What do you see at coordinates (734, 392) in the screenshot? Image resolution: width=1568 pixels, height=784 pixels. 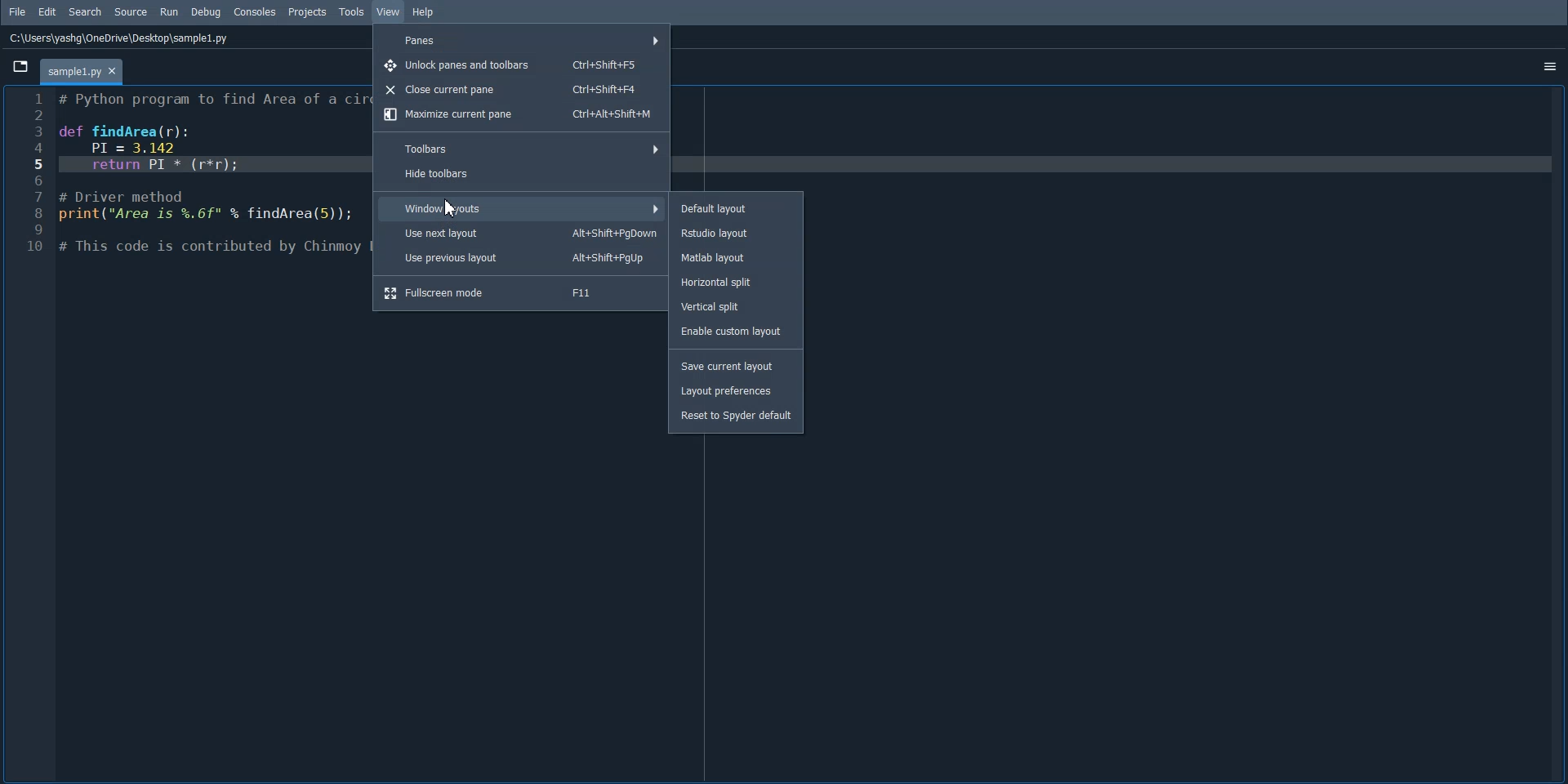 I see `Layout preferences` at bounding box center [734, 392].